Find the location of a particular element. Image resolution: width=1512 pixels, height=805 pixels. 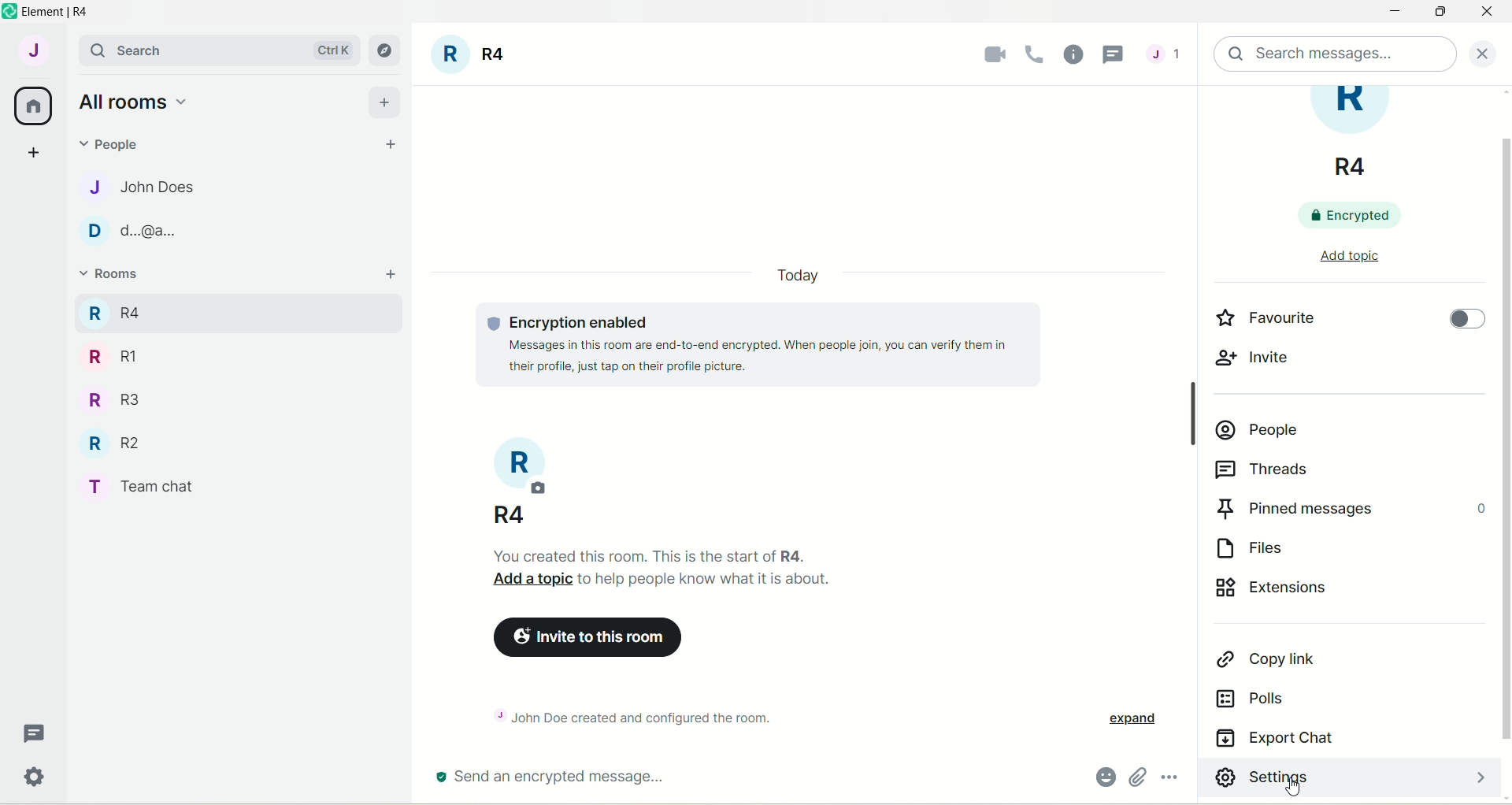

copy link is located at coordinates (1266, 661).